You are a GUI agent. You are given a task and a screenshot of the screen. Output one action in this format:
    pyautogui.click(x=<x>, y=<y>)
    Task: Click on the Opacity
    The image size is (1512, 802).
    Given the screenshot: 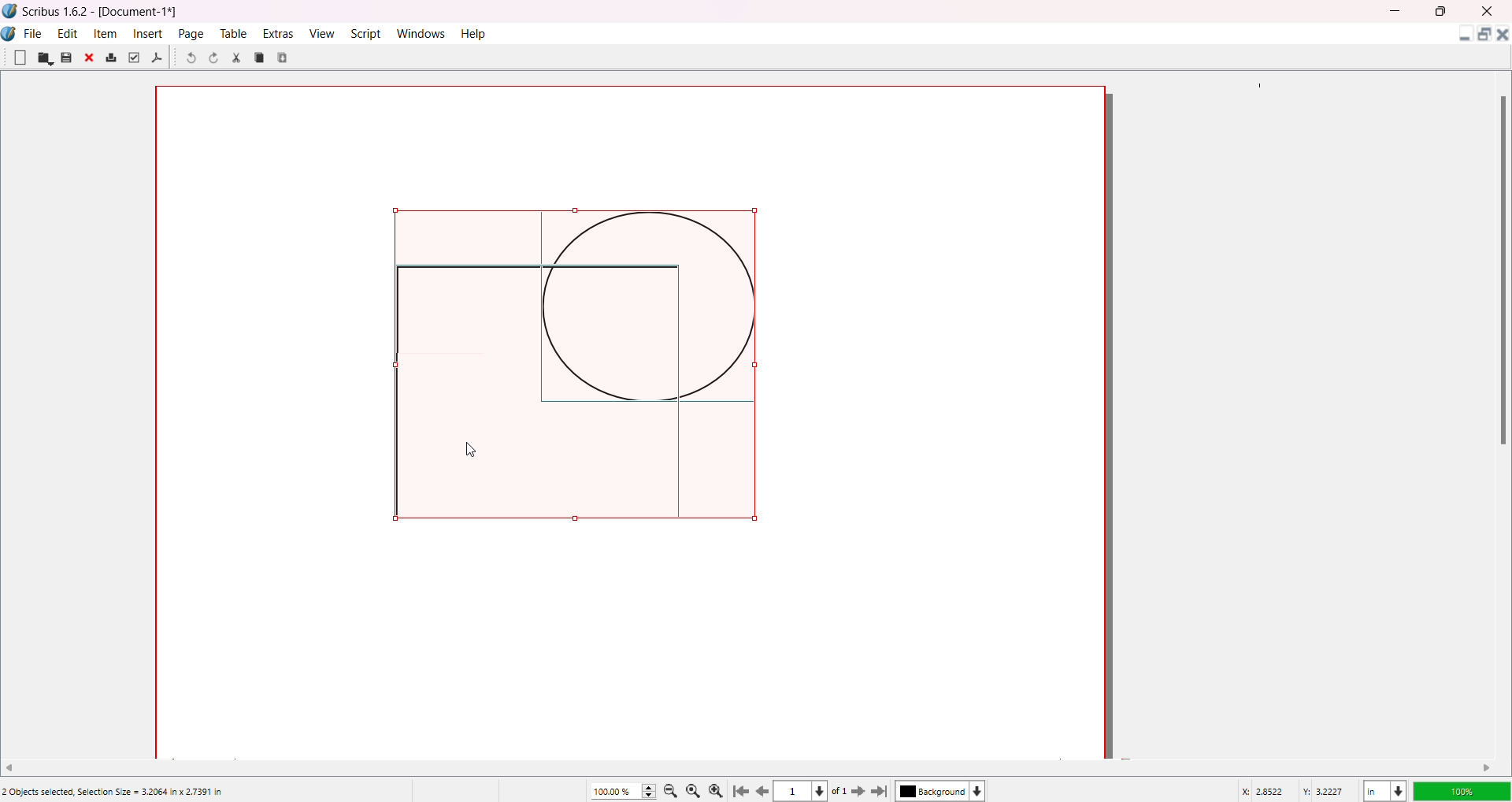 What is the action you would take?
    pyautogui.click(x=1461, y=789)
    